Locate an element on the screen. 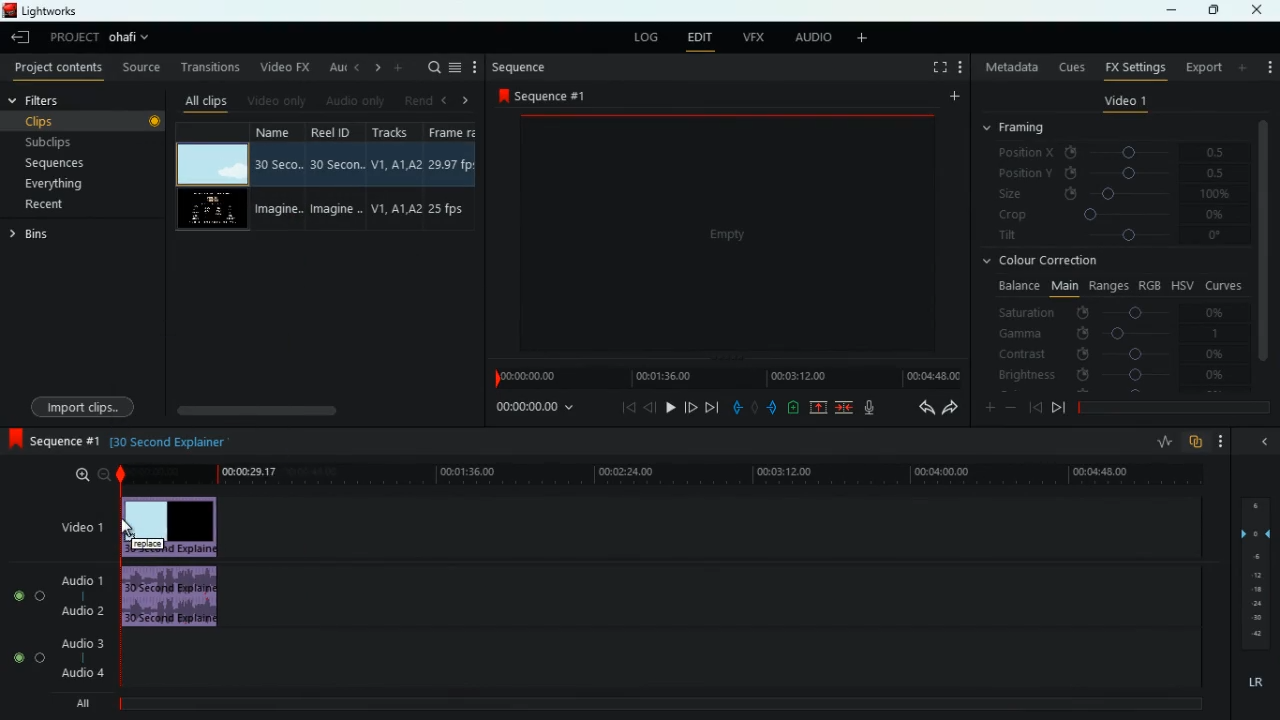  video fx is located at coordinates (283, 67).